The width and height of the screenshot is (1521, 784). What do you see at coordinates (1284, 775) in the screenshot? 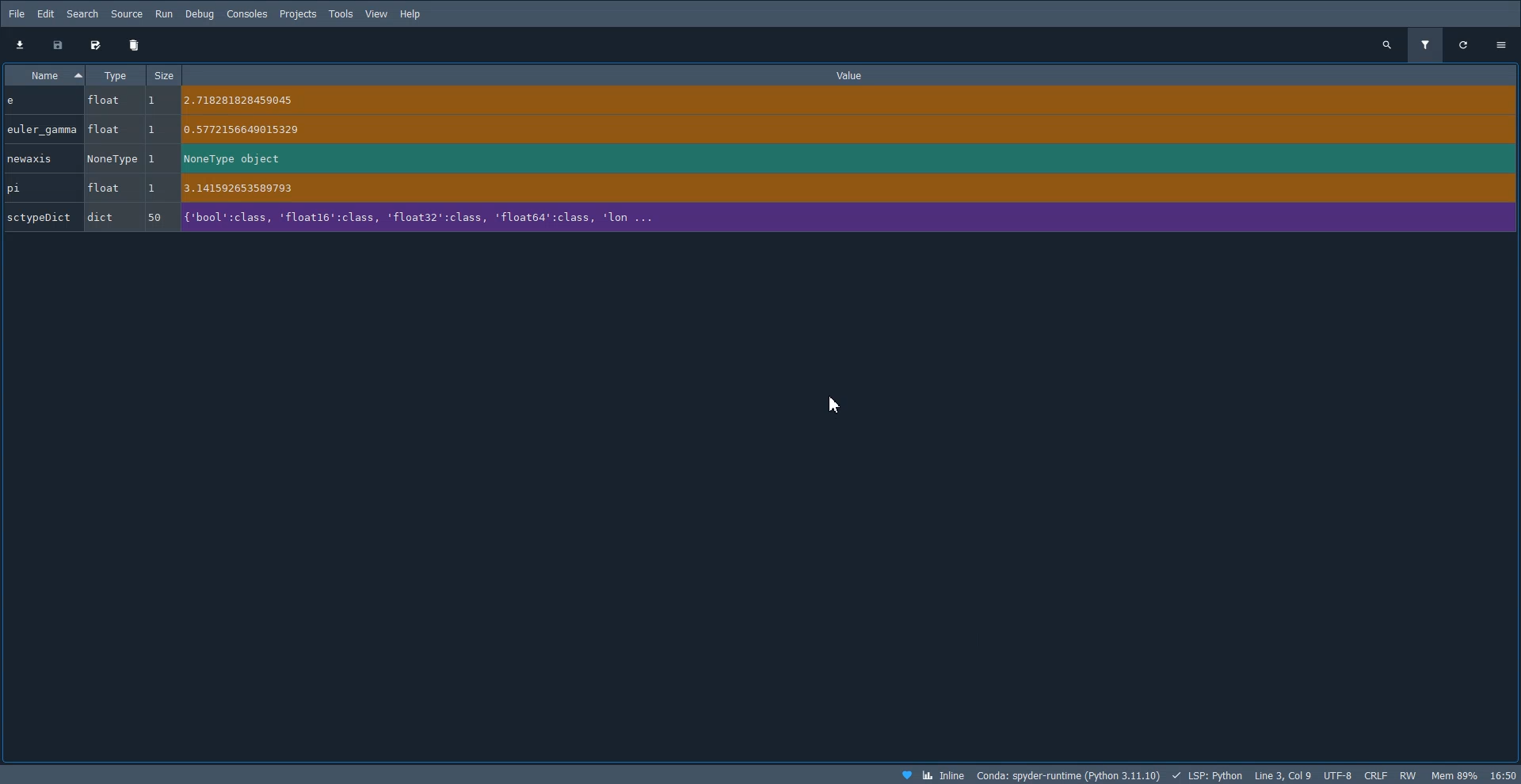
I see `Line3, col9` at bounding box center [1284, 775].